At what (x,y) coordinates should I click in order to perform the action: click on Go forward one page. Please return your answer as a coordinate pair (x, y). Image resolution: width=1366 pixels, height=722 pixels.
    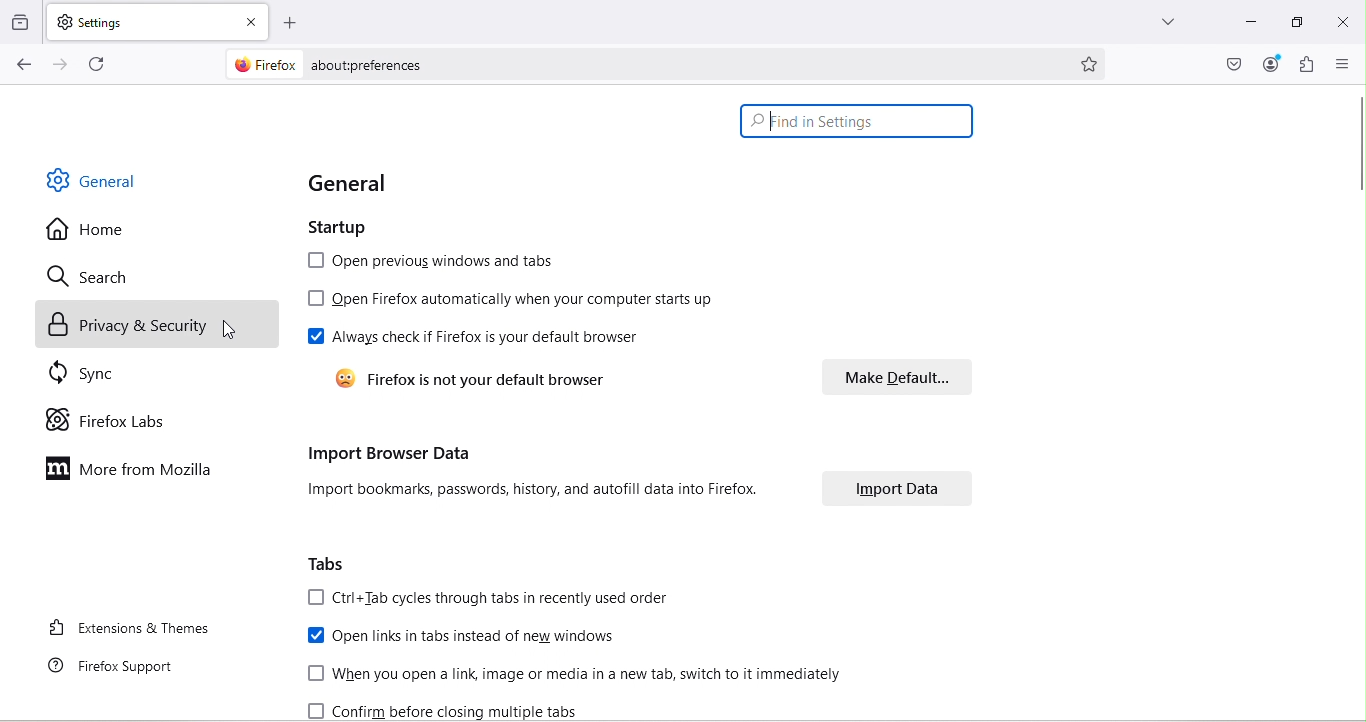
    Looking at the image, I should click on (59, 65).